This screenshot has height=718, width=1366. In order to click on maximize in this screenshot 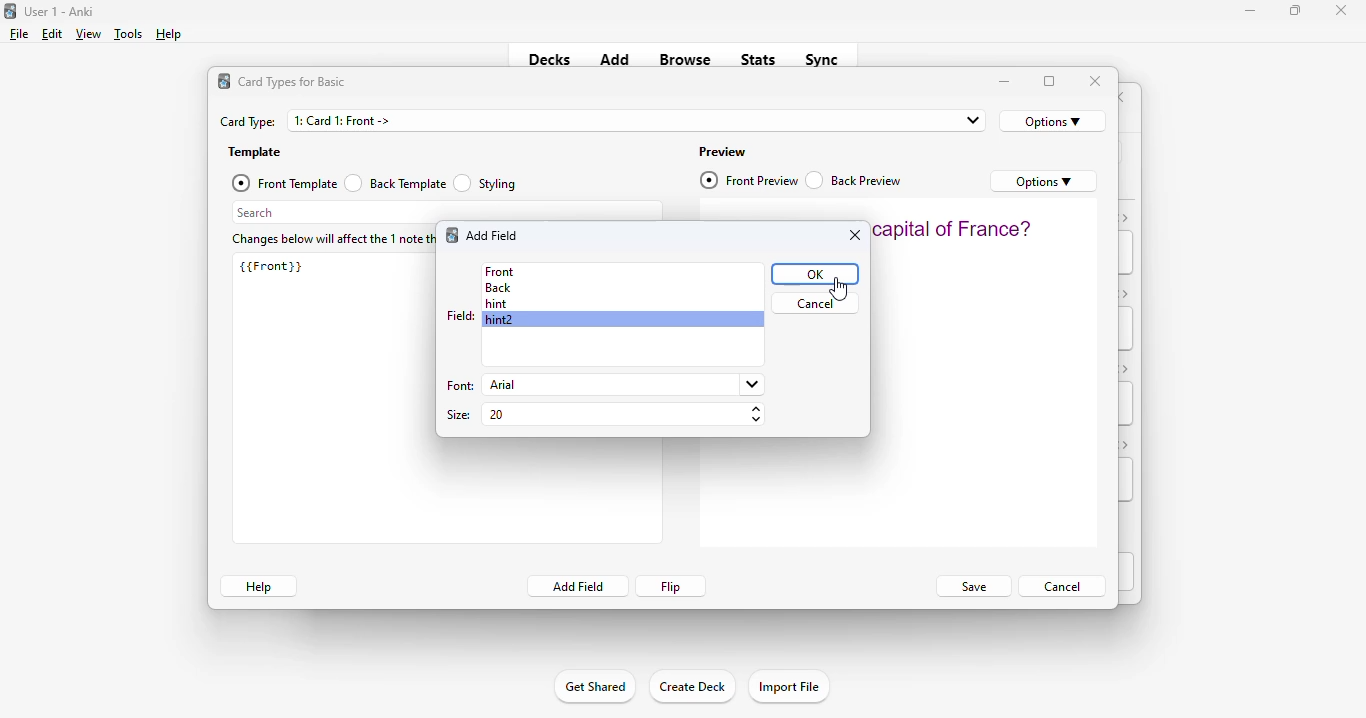, I will do `click(1050, 82)`.